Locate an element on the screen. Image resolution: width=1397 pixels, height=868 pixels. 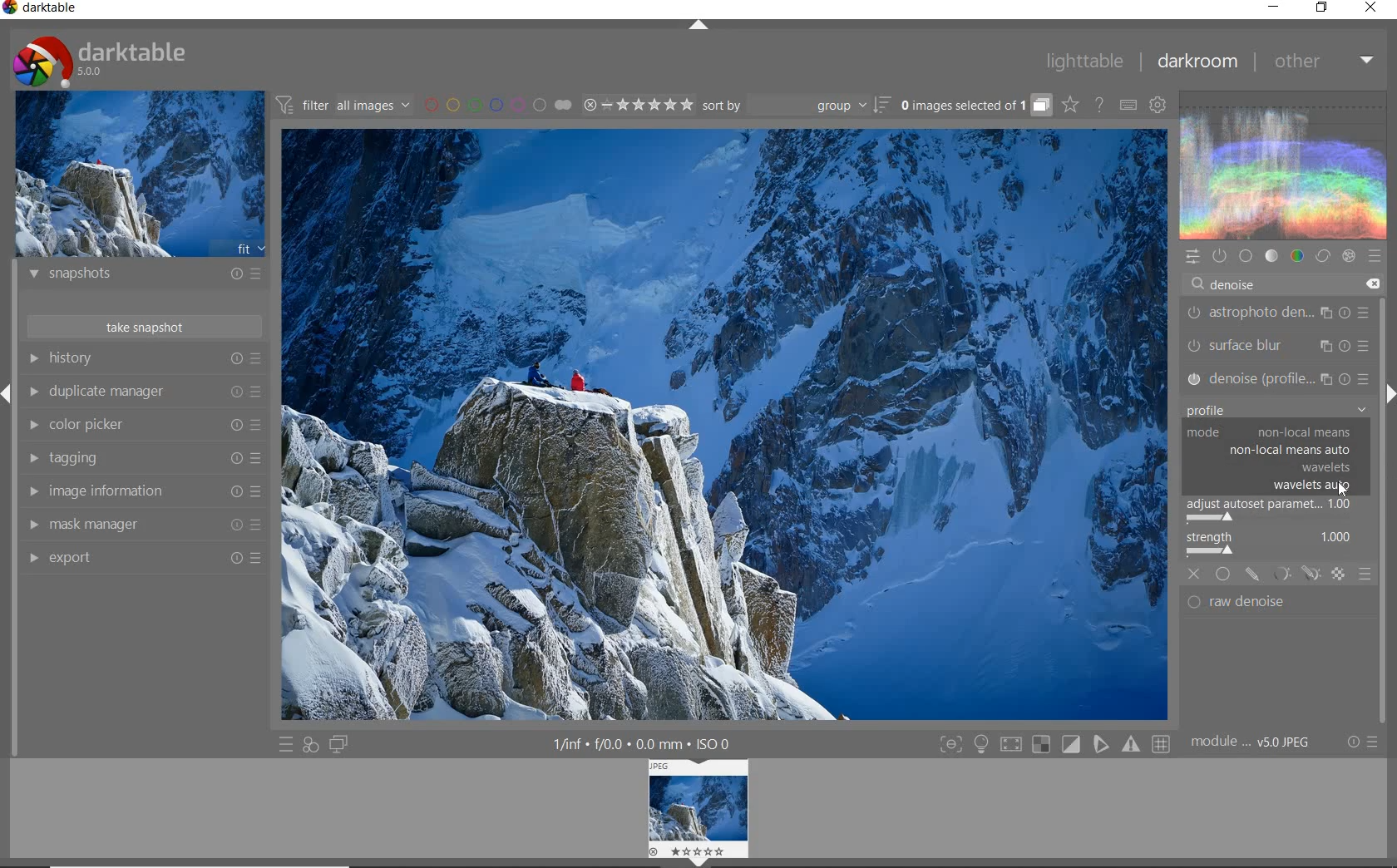
duplicate manager is located at coordinates (143, 392).